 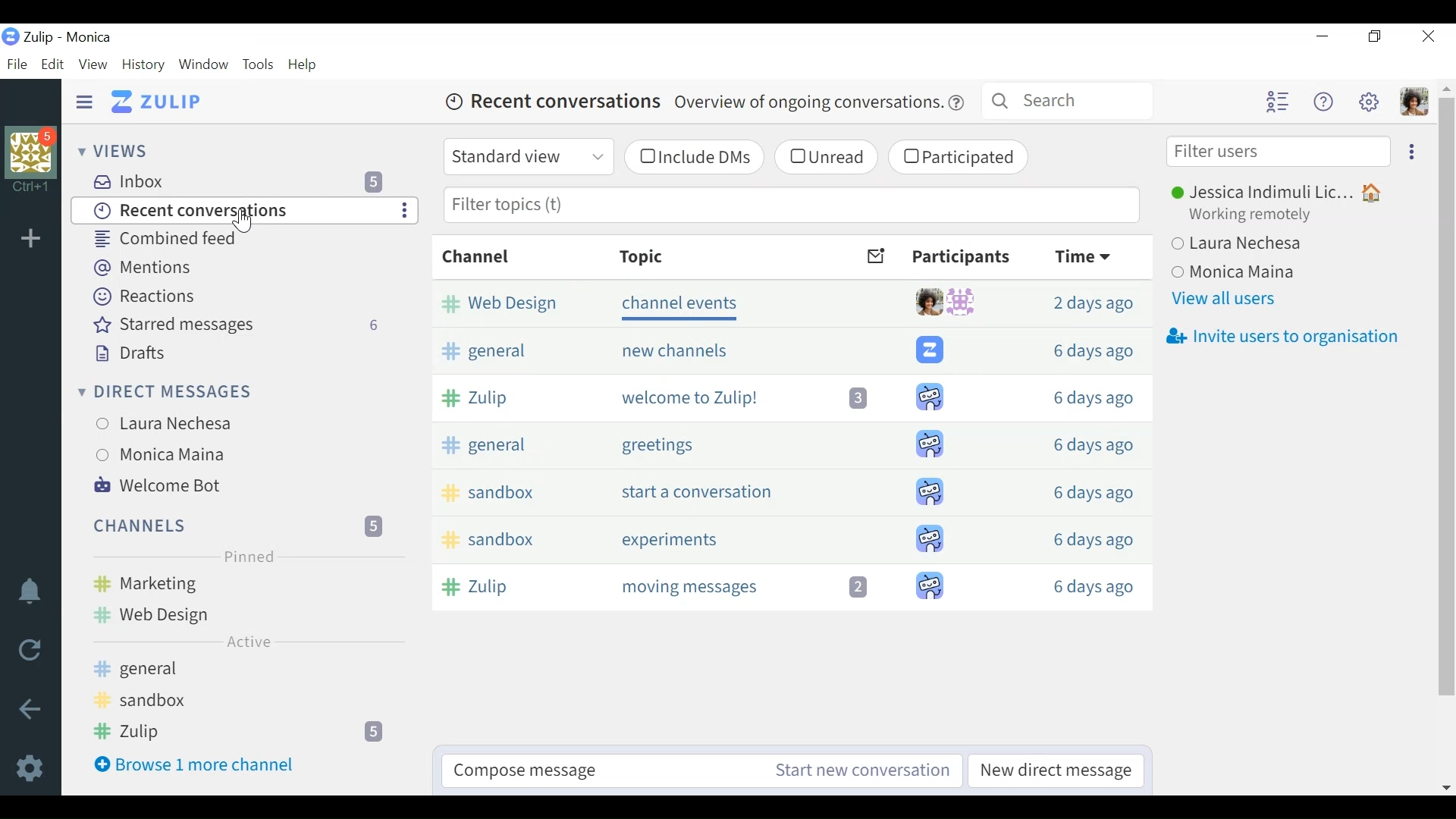 I want to click on Ellipsis, so click(x=1410, y=151).